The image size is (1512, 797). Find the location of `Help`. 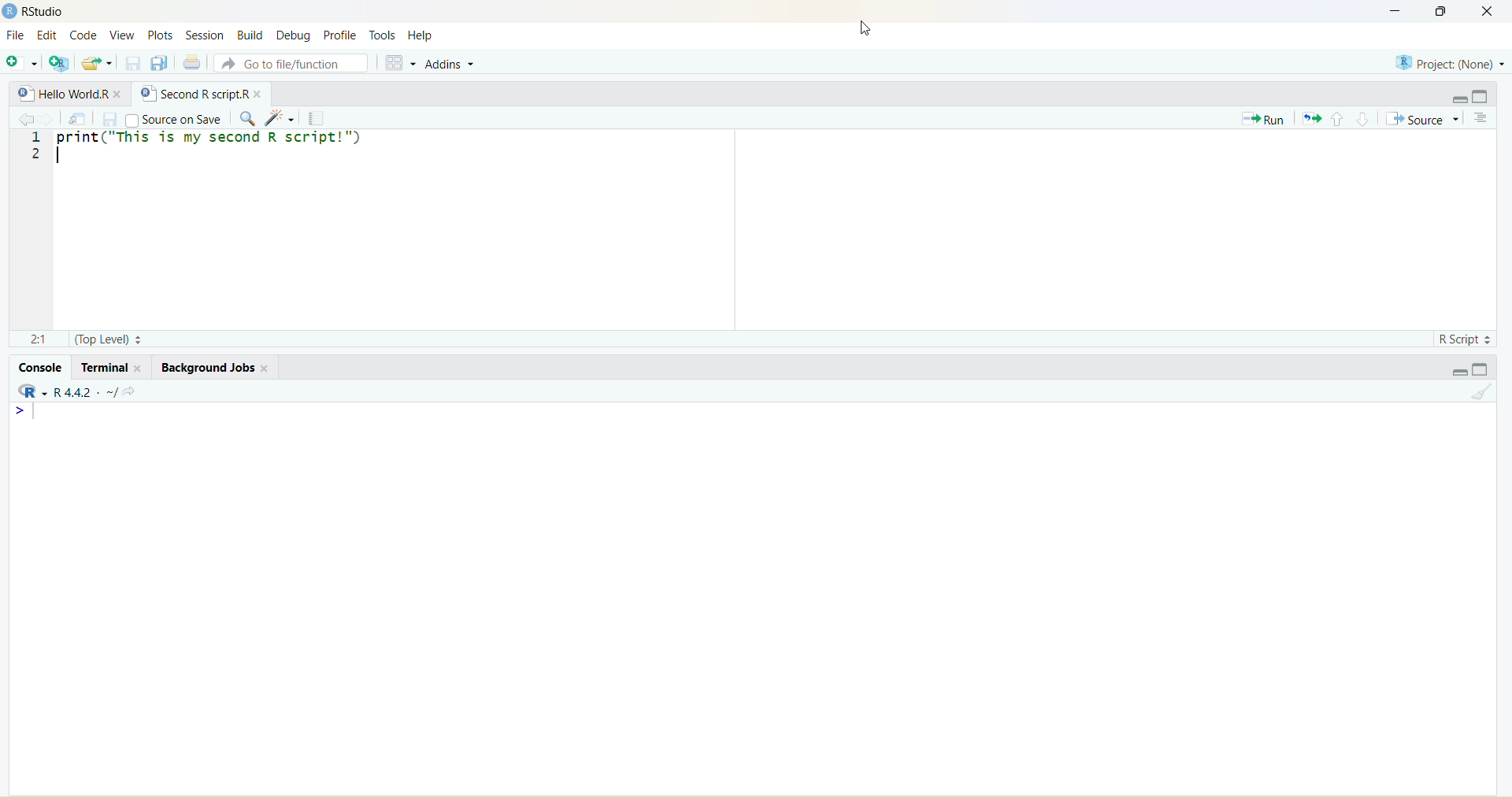

Help is located at coordinates (420, 36).